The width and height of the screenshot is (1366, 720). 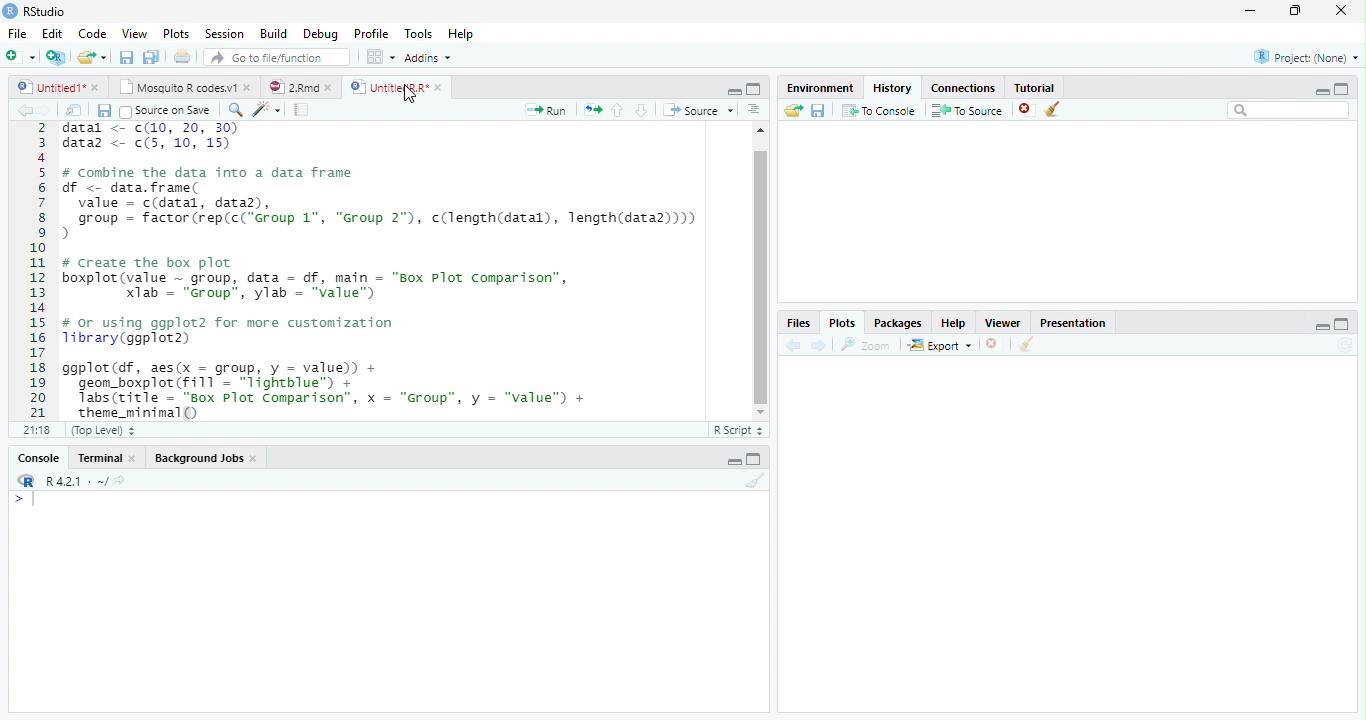 What do you see at coordinates (95, 87) in the screenshot?
I see `close` at bounding box center [95, 87].